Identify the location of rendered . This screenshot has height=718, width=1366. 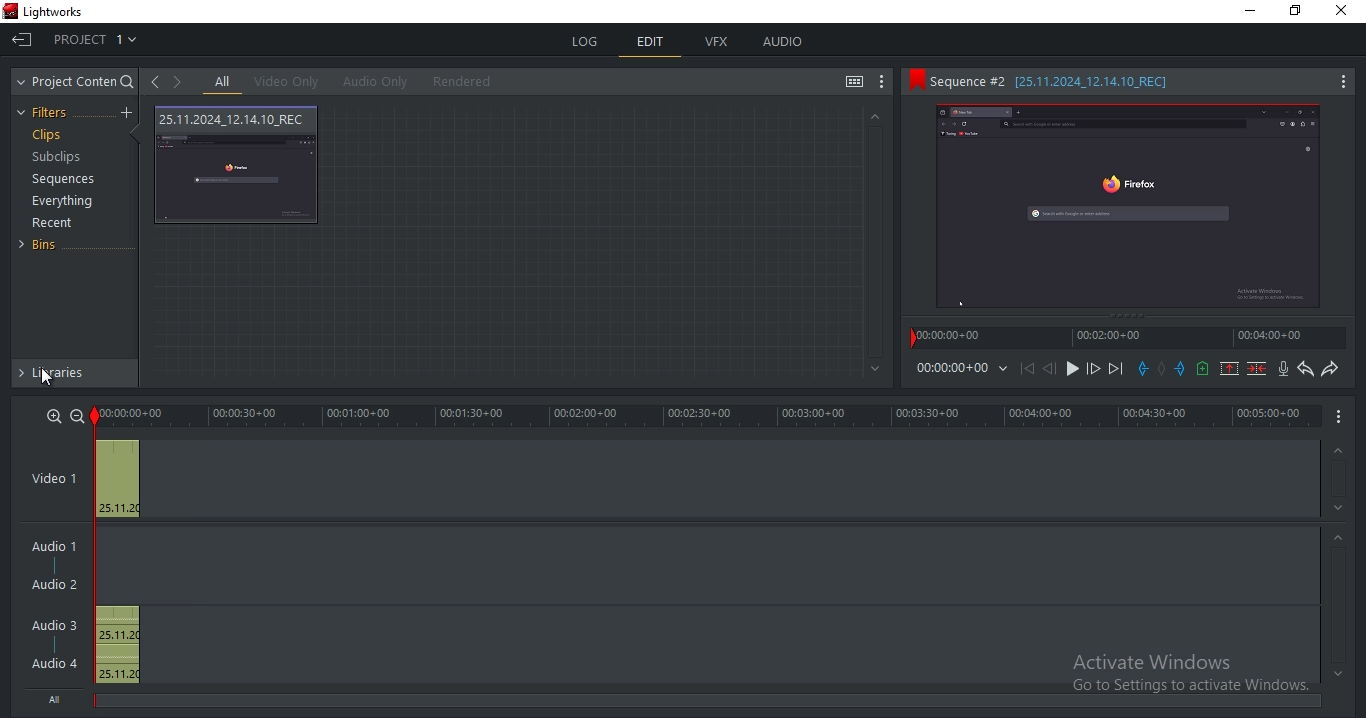
(468, 82).